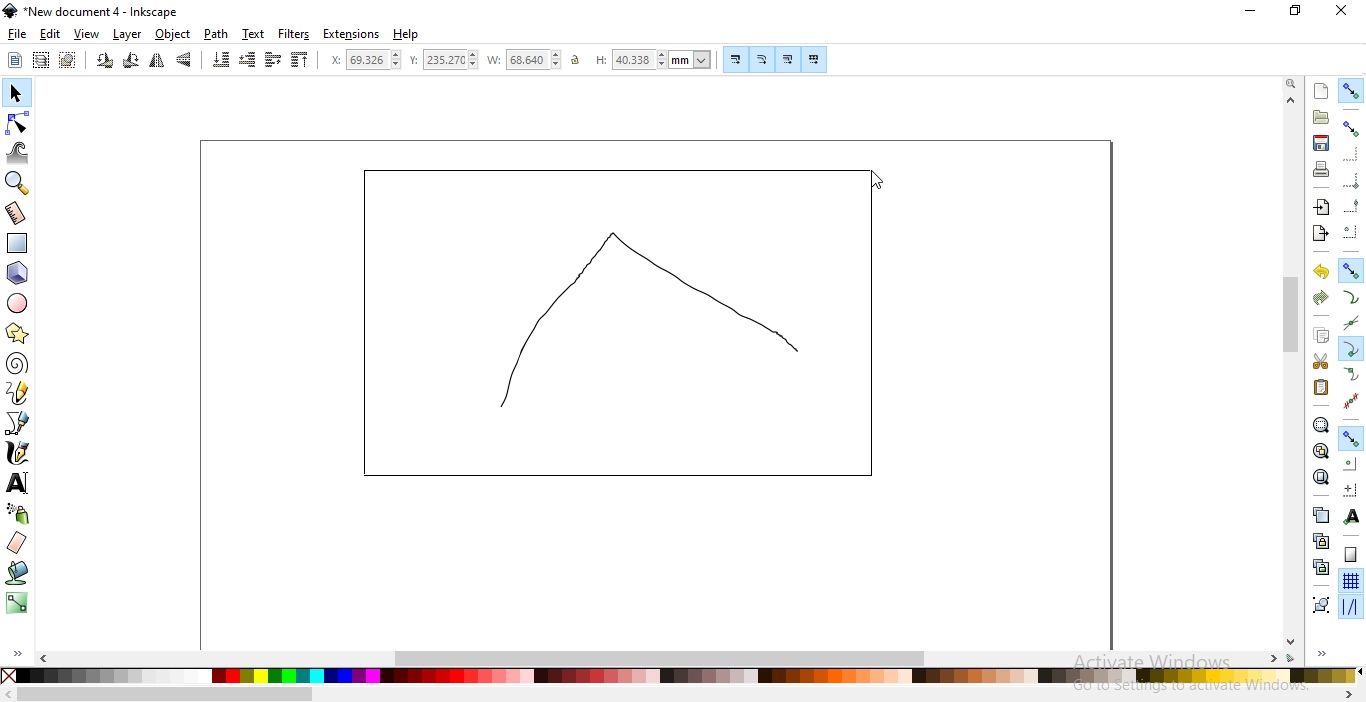  What do you see at coordinates (131, 59) in the screenshot?
I see `rotate 90 clockwise` at bounding box center [131, 59].